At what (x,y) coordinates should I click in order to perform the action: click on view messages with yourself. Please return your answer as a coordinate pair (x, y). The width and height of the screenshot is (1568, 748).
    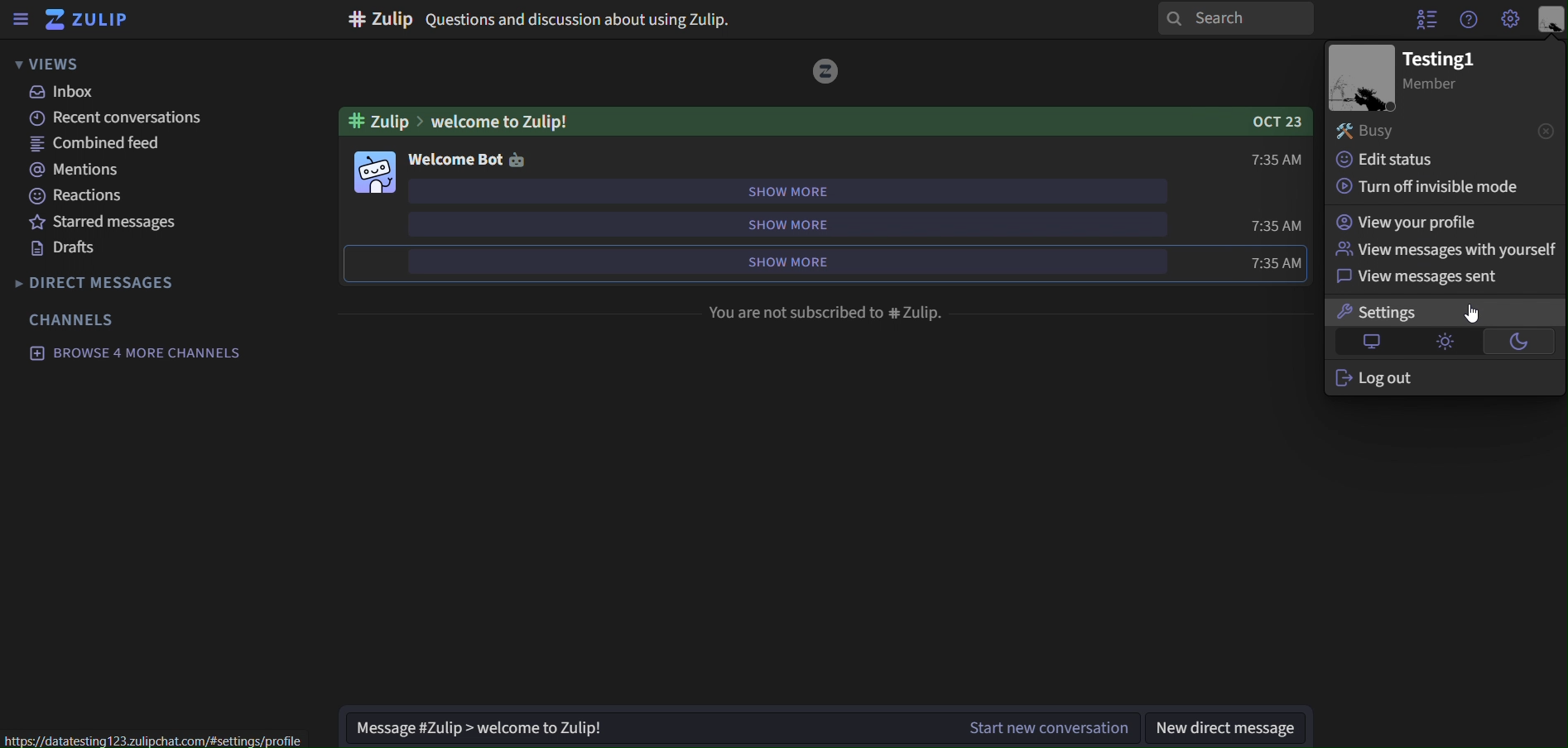
    Looking at the image, I should click on (1446, 249).